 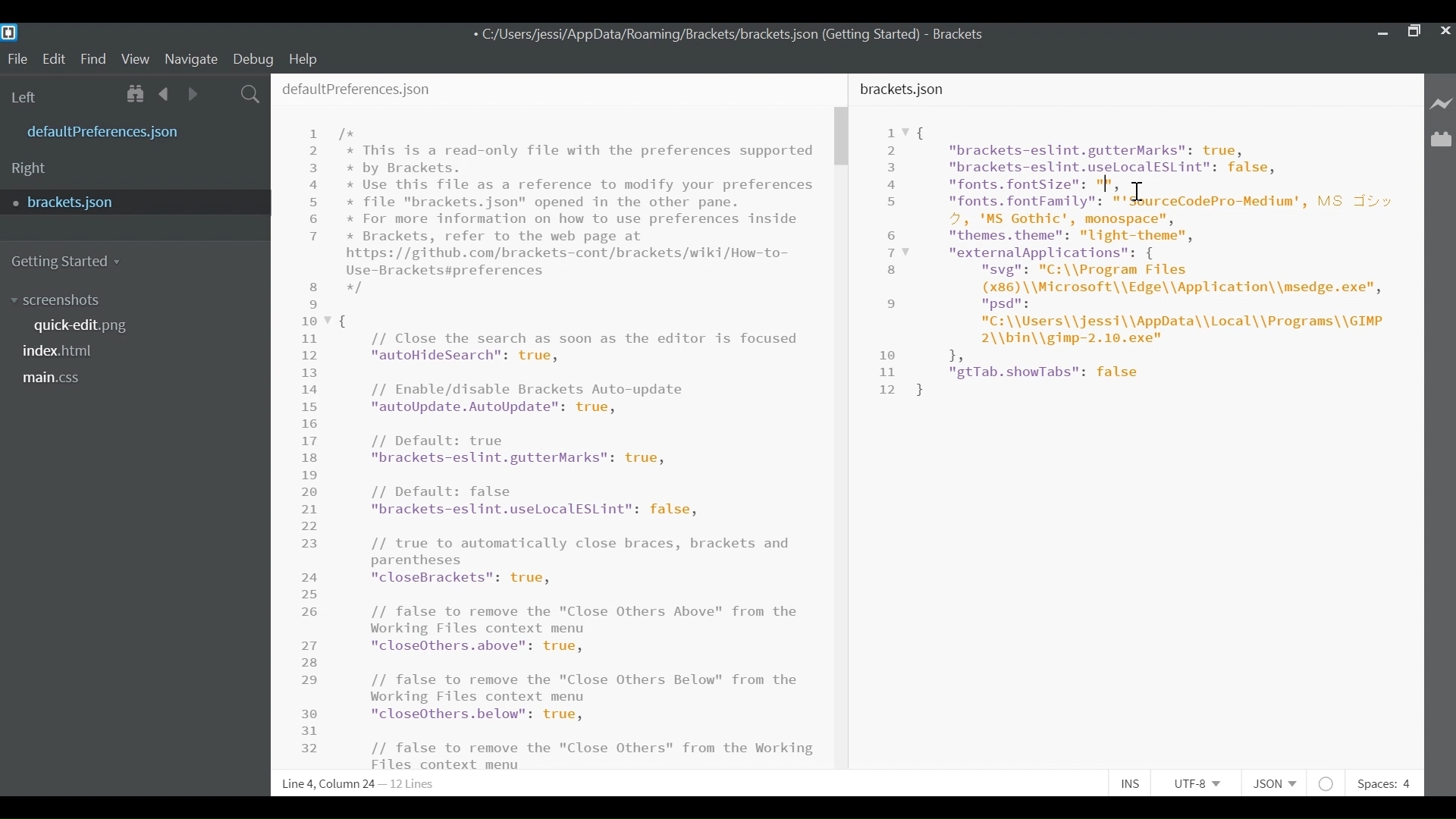 I want to click on Navigate back, so click(x=163, y=95).